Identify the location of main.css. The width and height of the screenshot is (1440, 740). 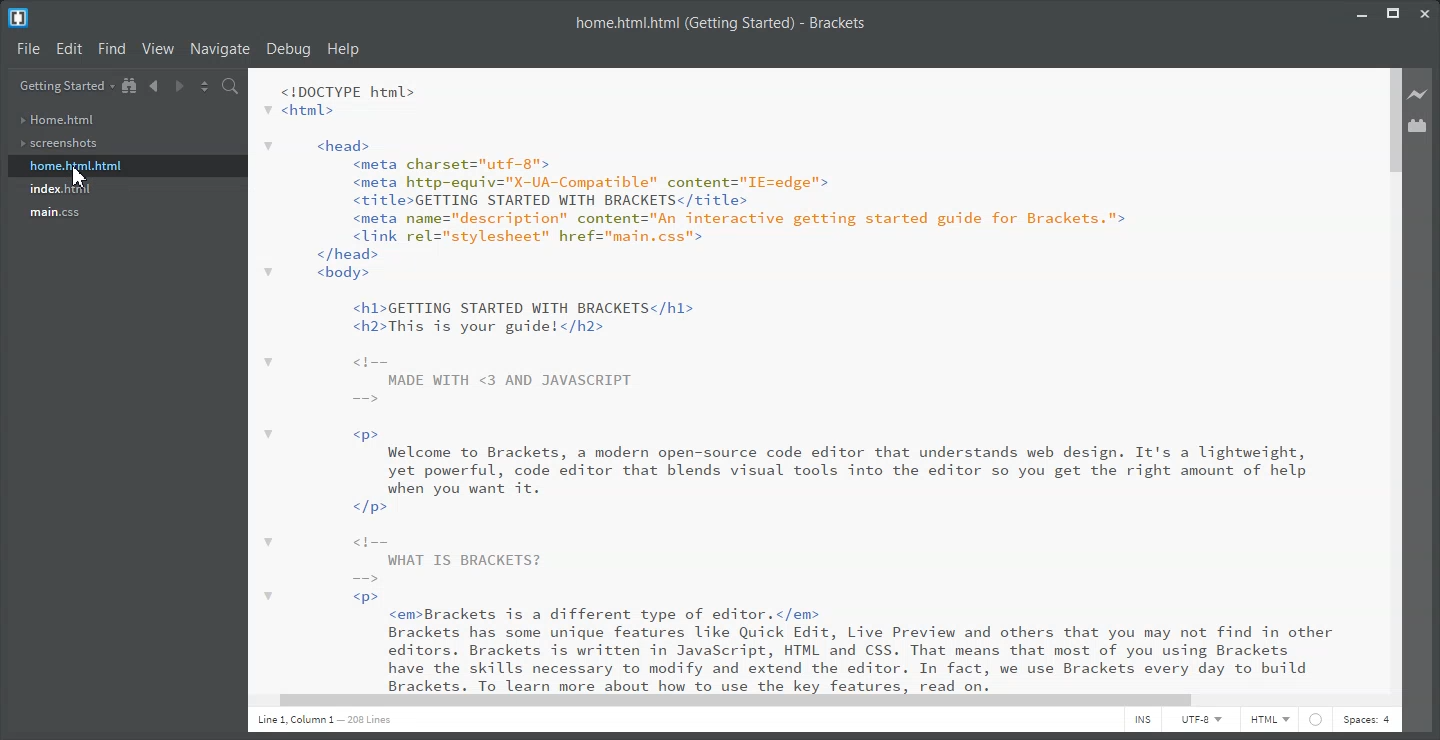
(57, 213).